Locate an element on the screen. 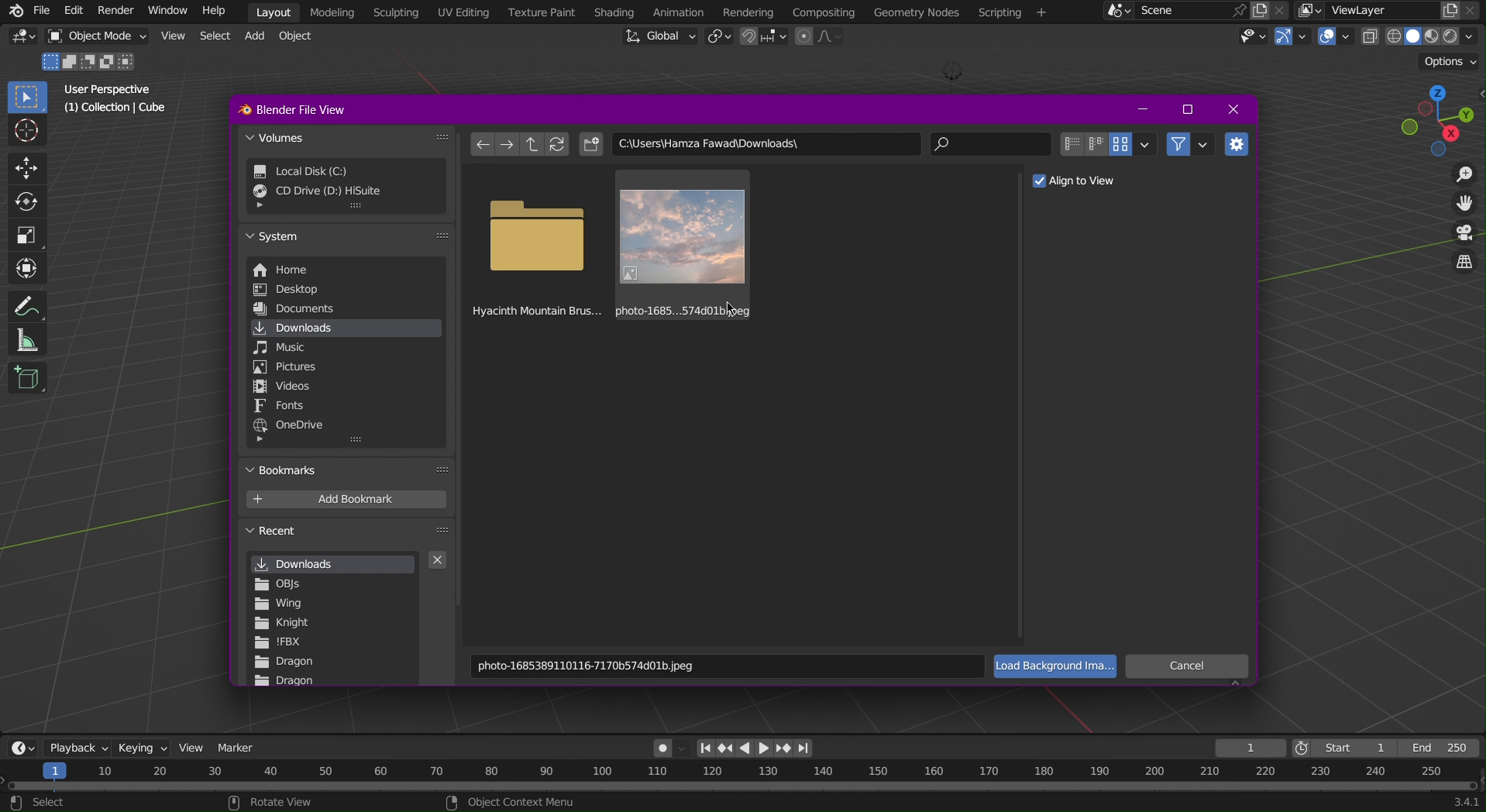 Image resolution: width=1486 pixels, height=812 pixels. (1) Collection | Cube is located at coordinates (118, 109).